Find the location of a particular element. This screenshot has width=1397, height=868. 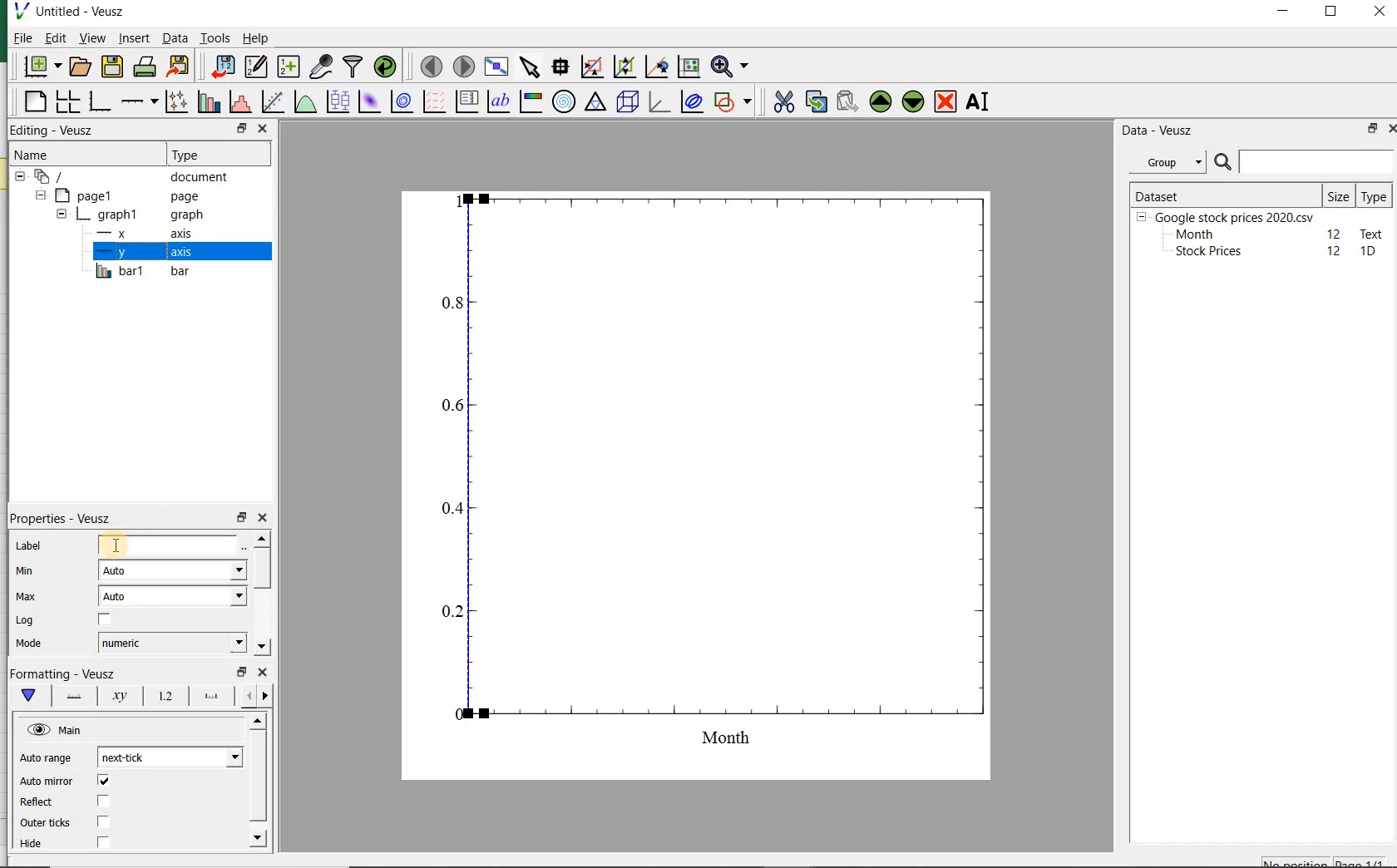

Auto range is located at coordinates (46, 759).